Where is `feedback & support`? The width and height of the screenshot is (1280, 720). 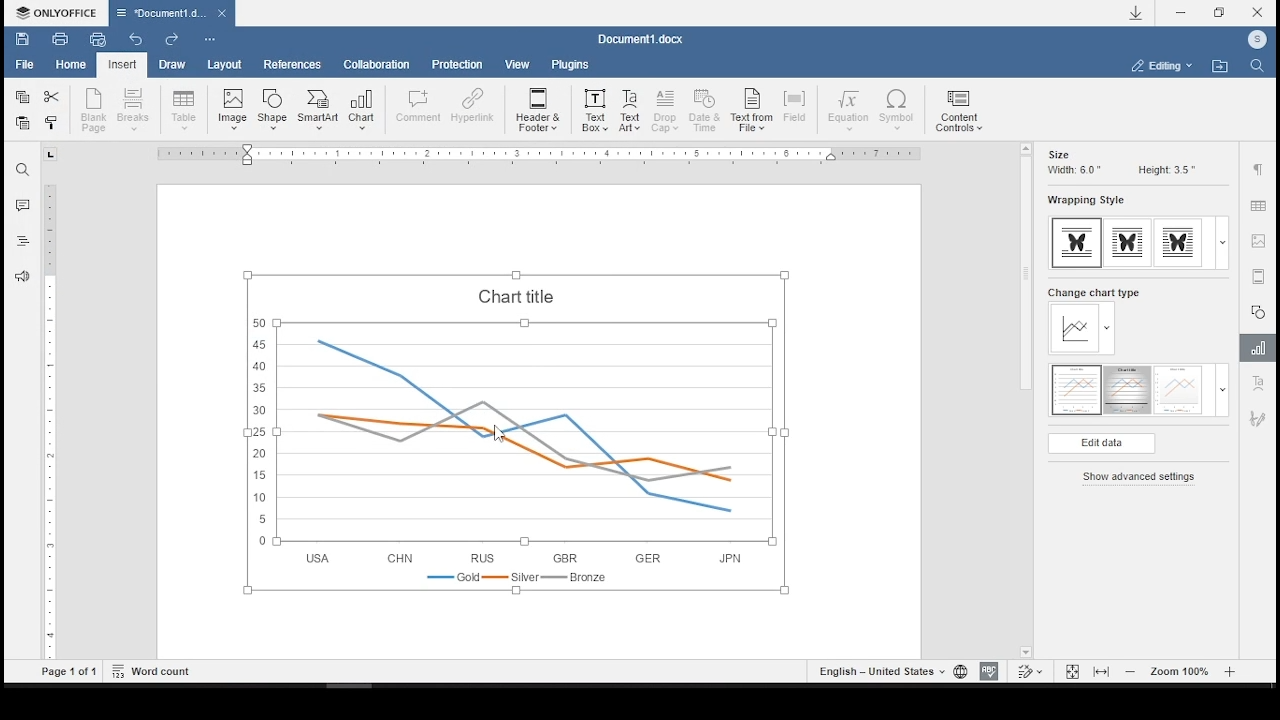 feedback & support is located at coordinates (22, 276).